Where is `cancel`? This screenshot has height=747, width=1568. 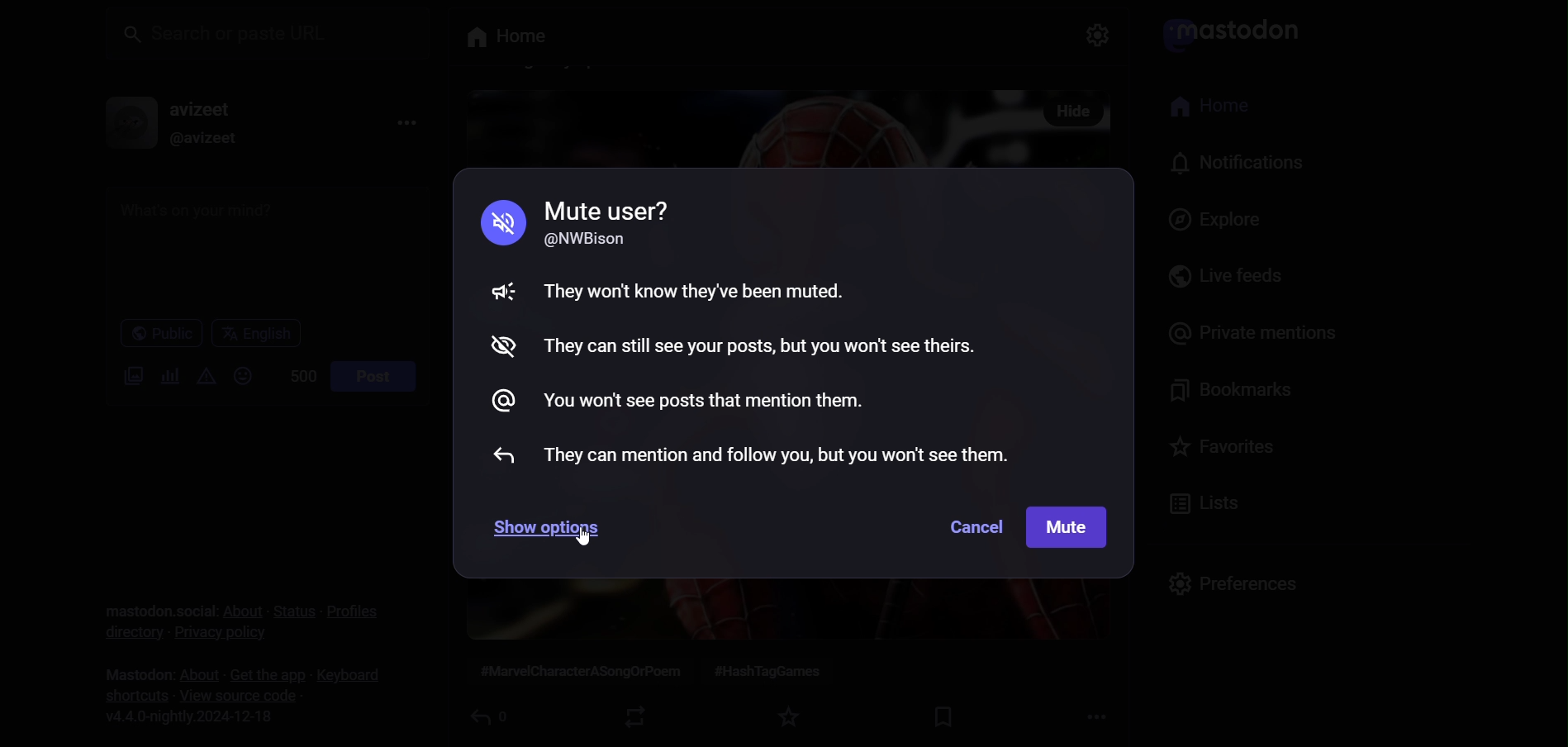
cancel is located at coordinates (970, 525).